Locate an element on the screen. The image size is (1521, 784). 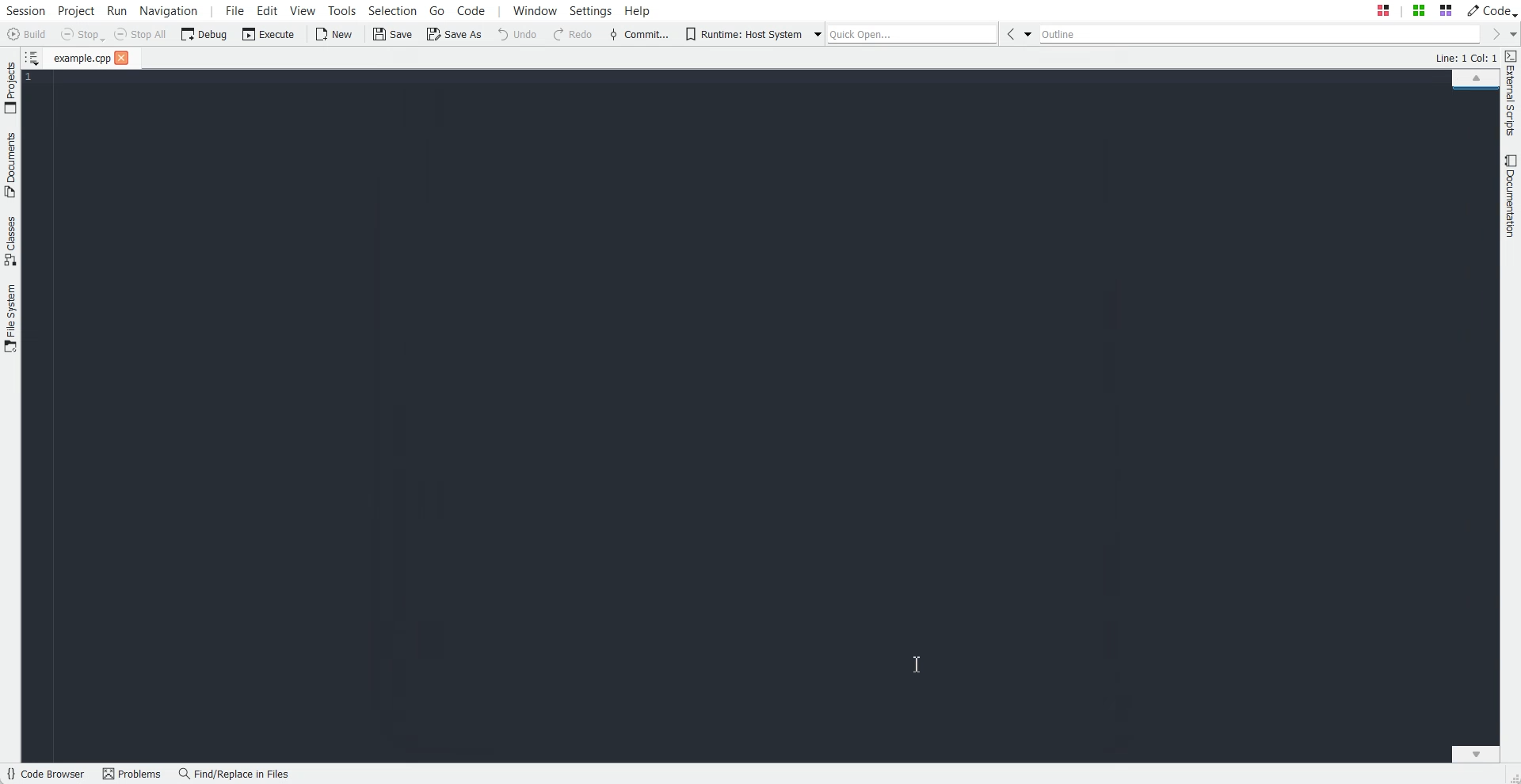
Debug is located at coordinates (204, 34).